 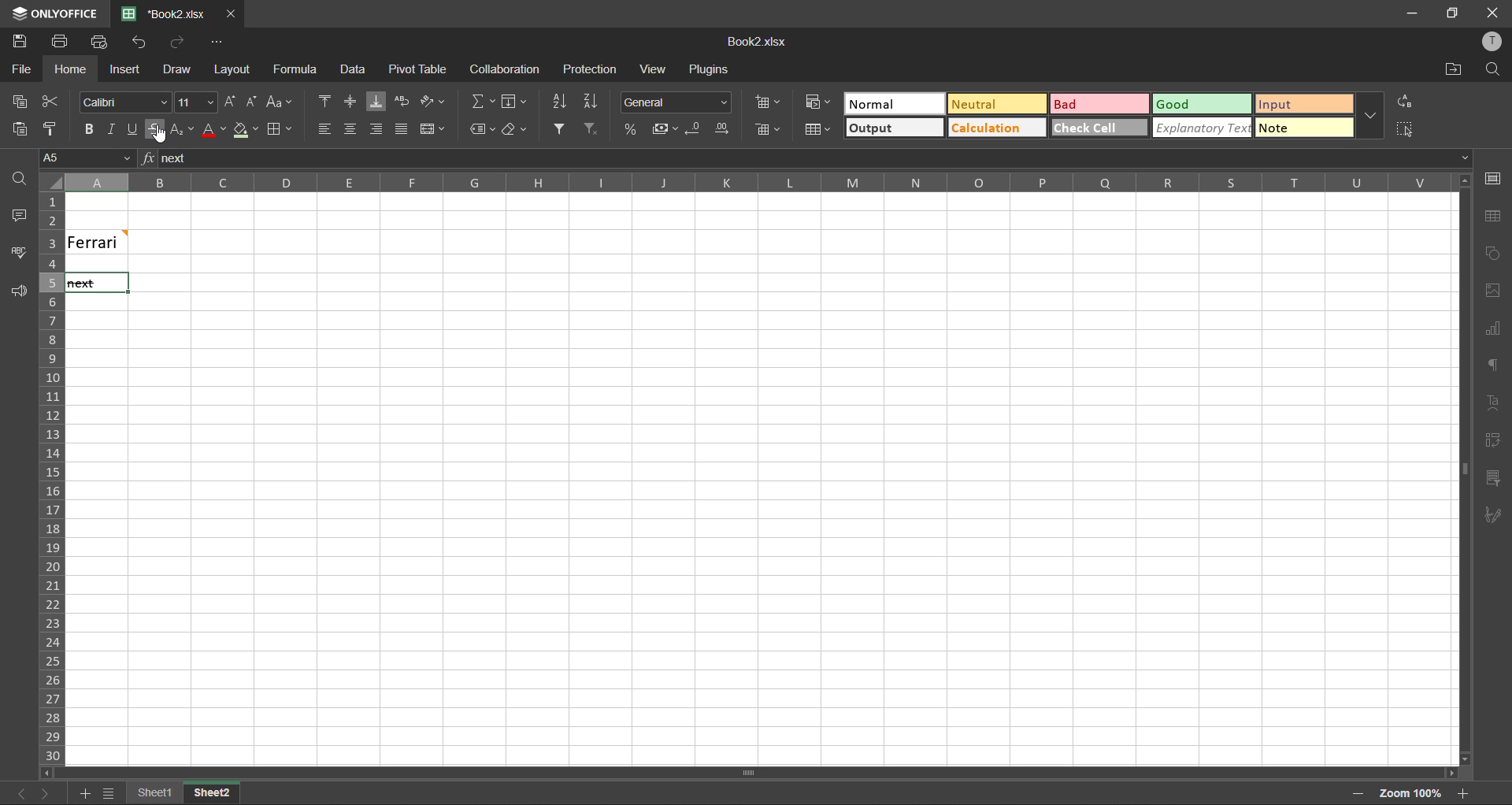 I want to click on cell address, so click(x=89, y=158).